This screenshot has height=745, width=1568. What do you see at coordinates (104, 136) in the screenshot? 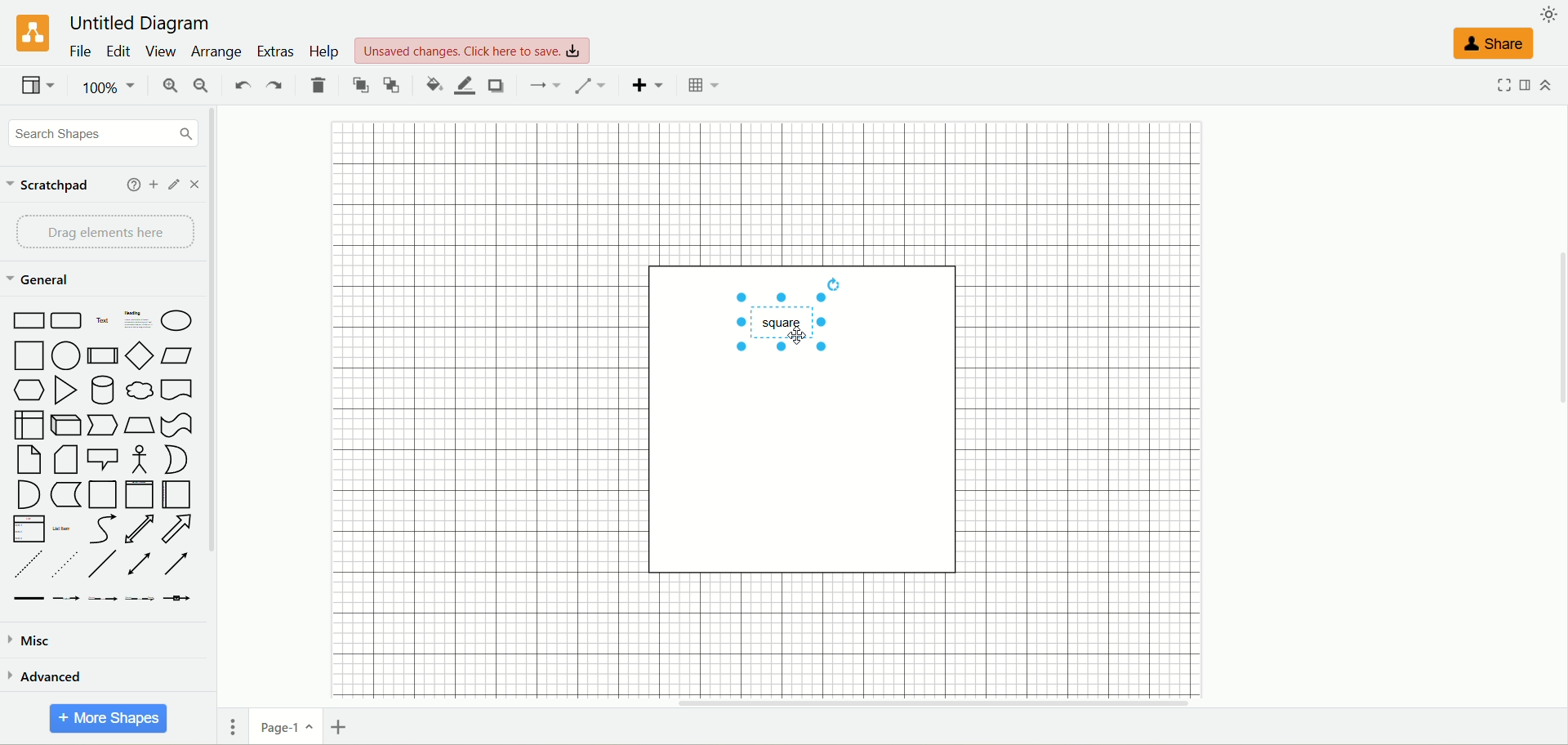
I see `search shapes` at bounding box center [104, 136].